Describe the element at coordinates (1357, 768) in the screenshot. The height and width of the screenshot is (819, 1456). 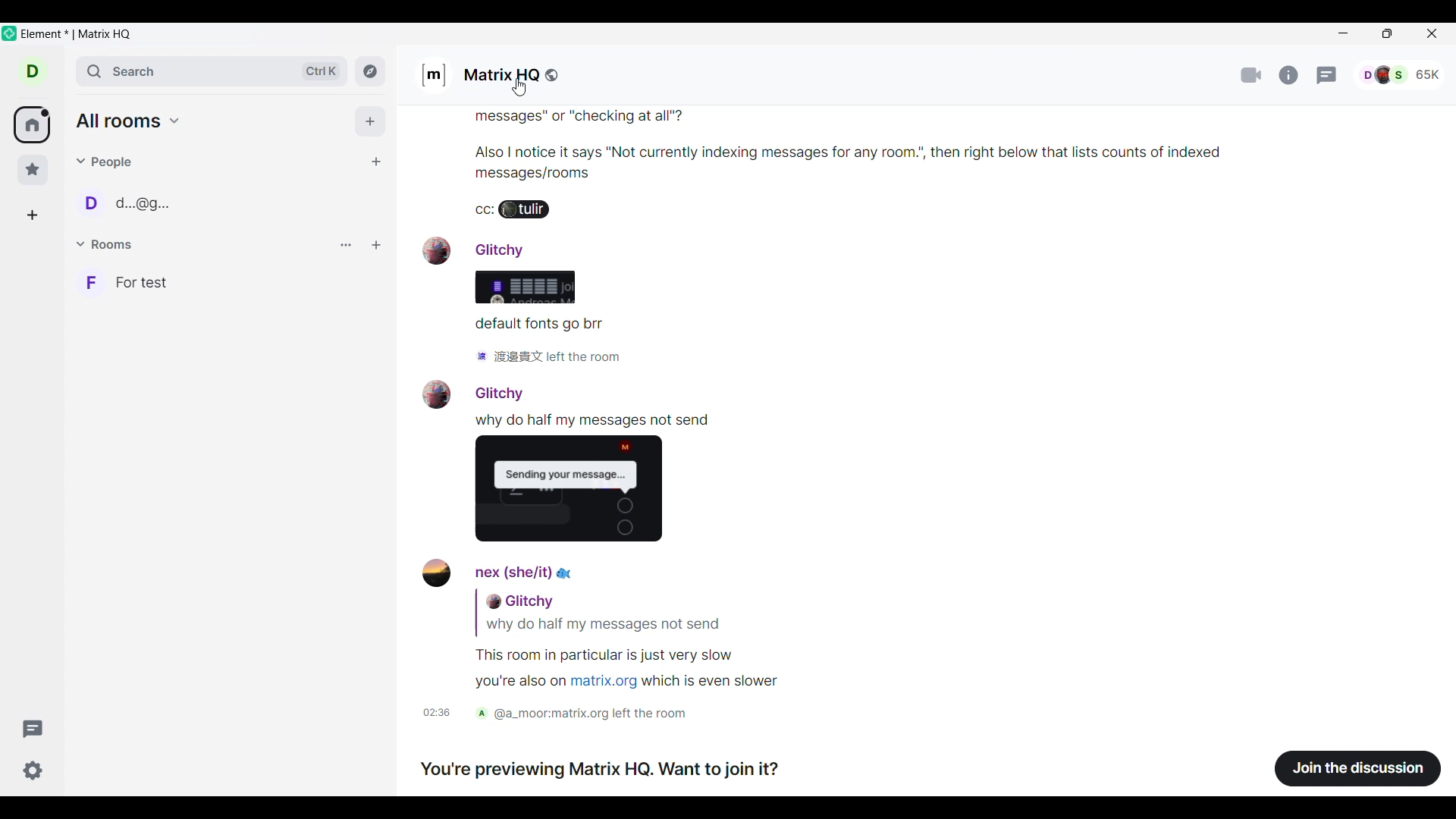
I see `Join the discussion` at that location.